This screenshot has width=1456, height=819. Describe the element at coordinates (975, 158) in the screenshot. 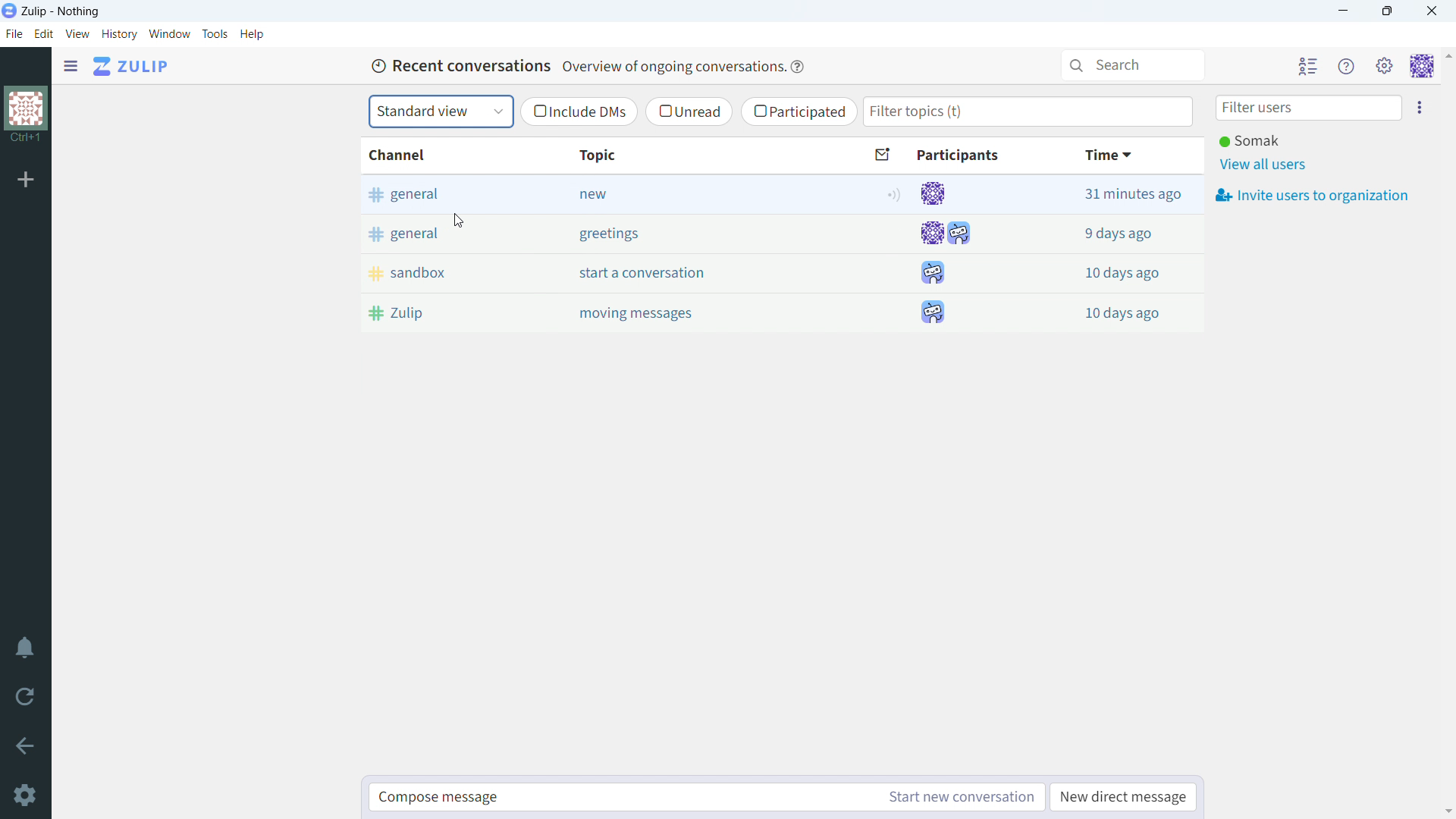

I see `participants` at that location.